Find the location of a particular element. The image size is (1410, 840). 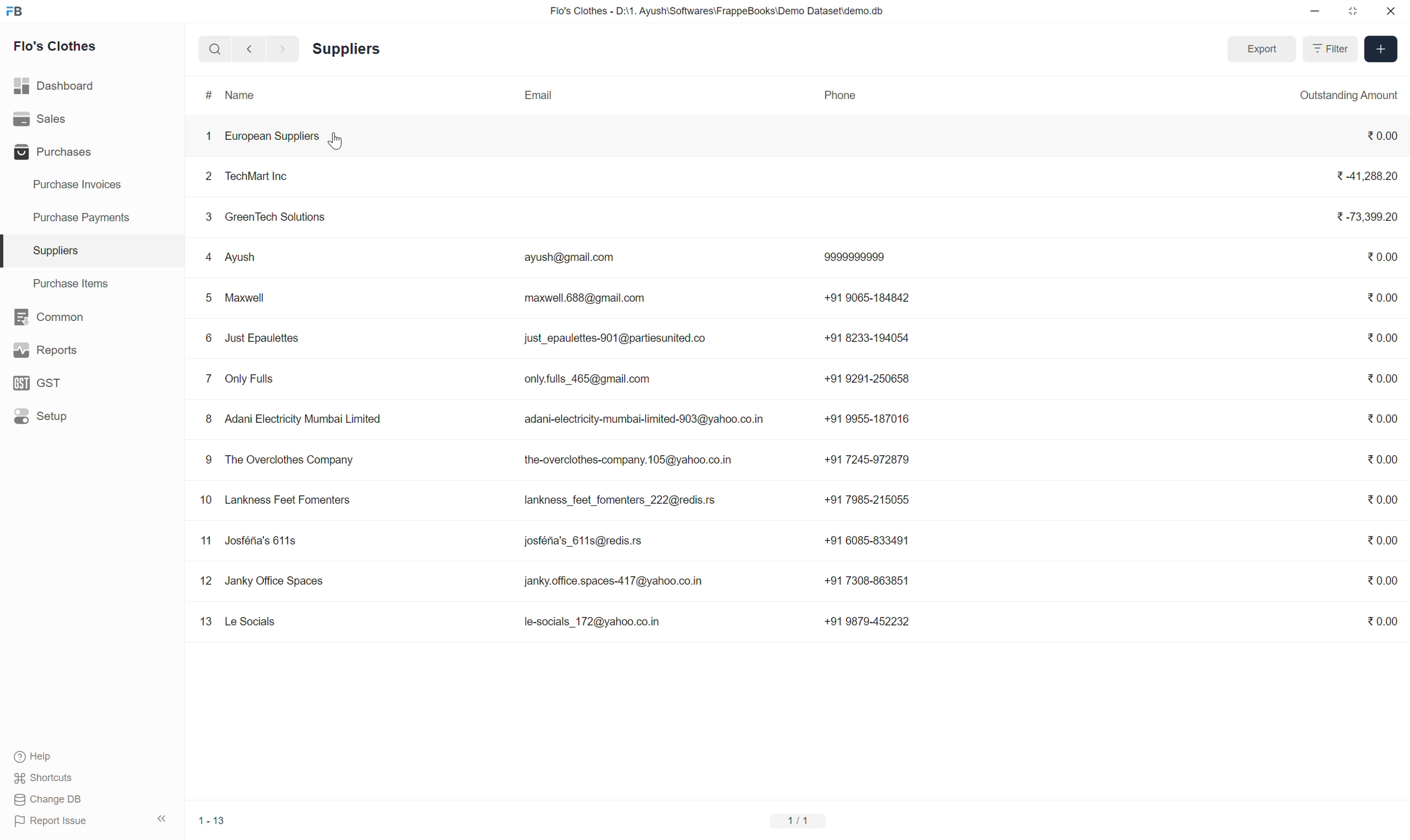

Dashboard is located at coordinates (55, 82).